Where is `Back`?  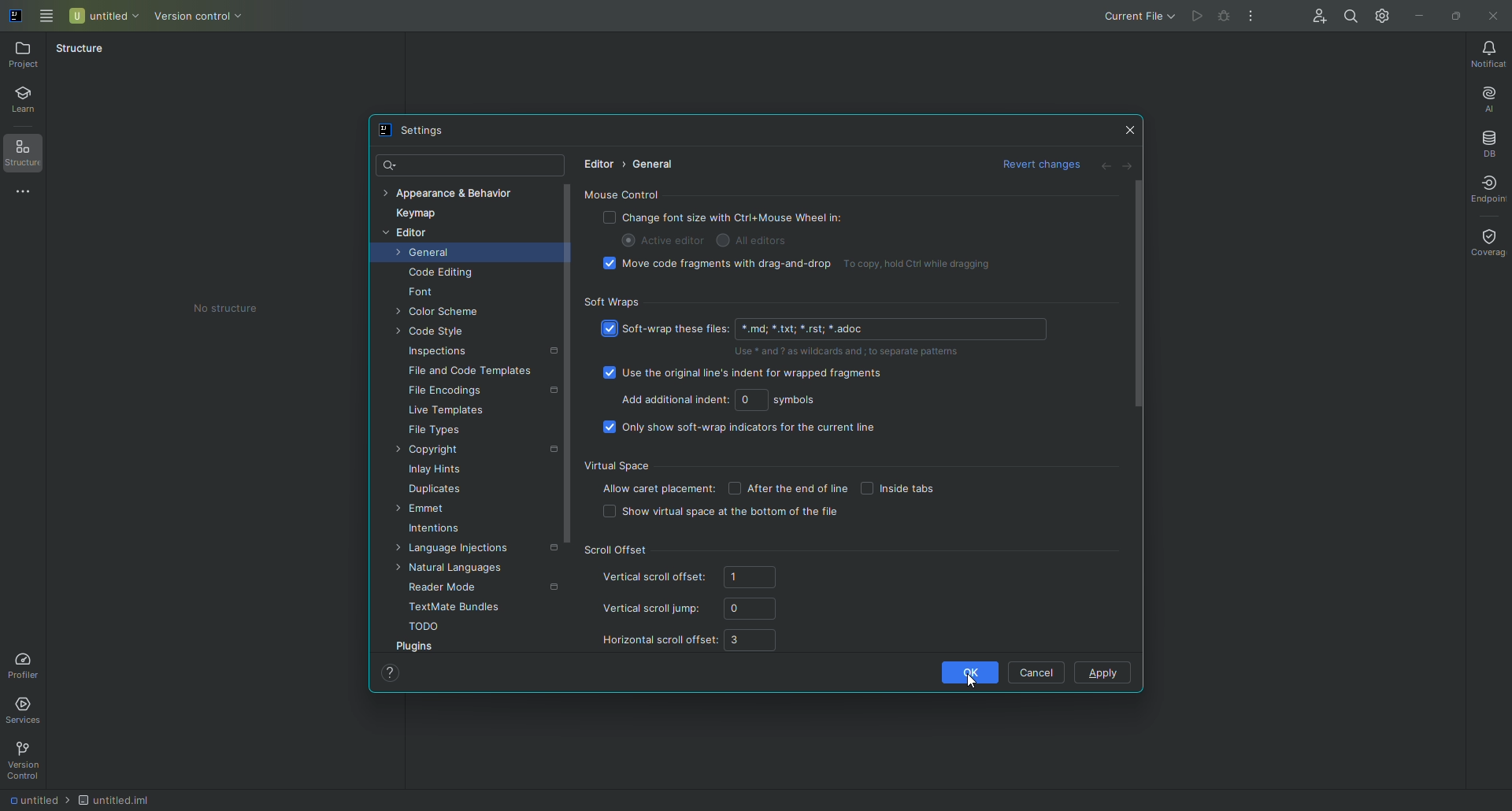 Back is located at coordinates (1099, 165).